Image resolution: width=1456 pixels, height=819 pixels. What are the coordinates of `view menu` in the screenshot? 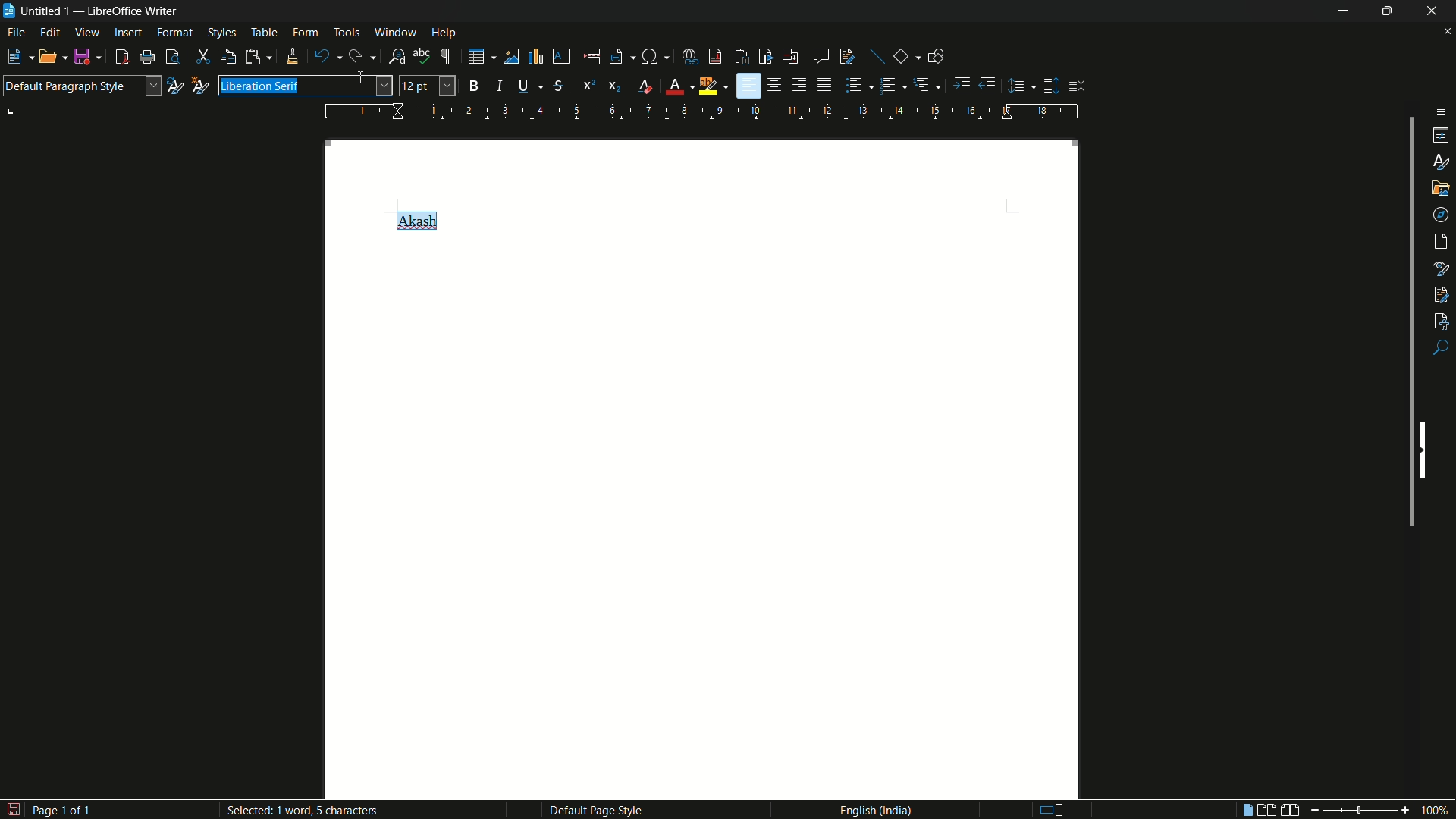 It's located at (87, 33).